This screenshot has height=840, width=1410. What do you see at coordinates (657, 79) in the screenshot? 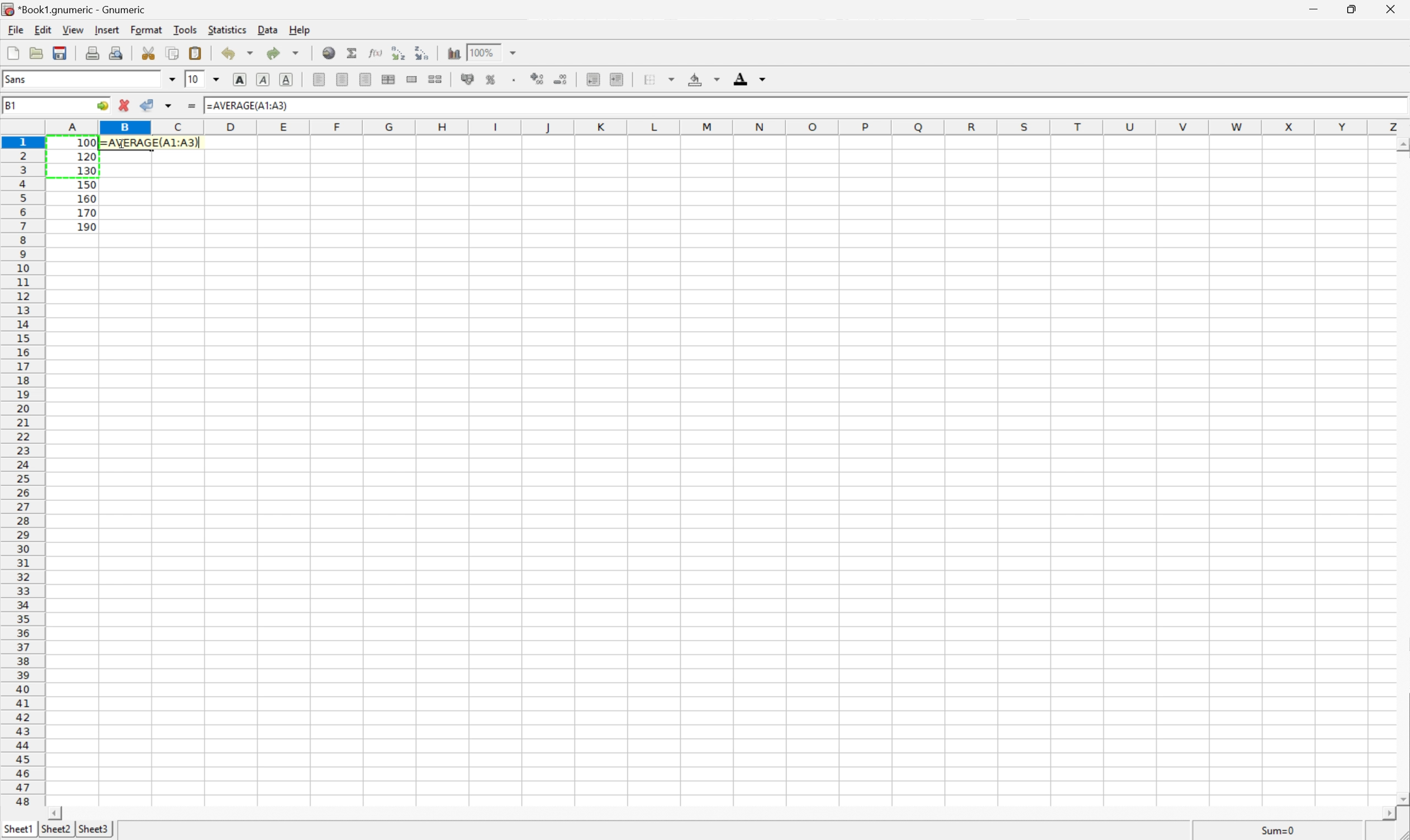
I see `Borders` at bounding box center [657, 79].